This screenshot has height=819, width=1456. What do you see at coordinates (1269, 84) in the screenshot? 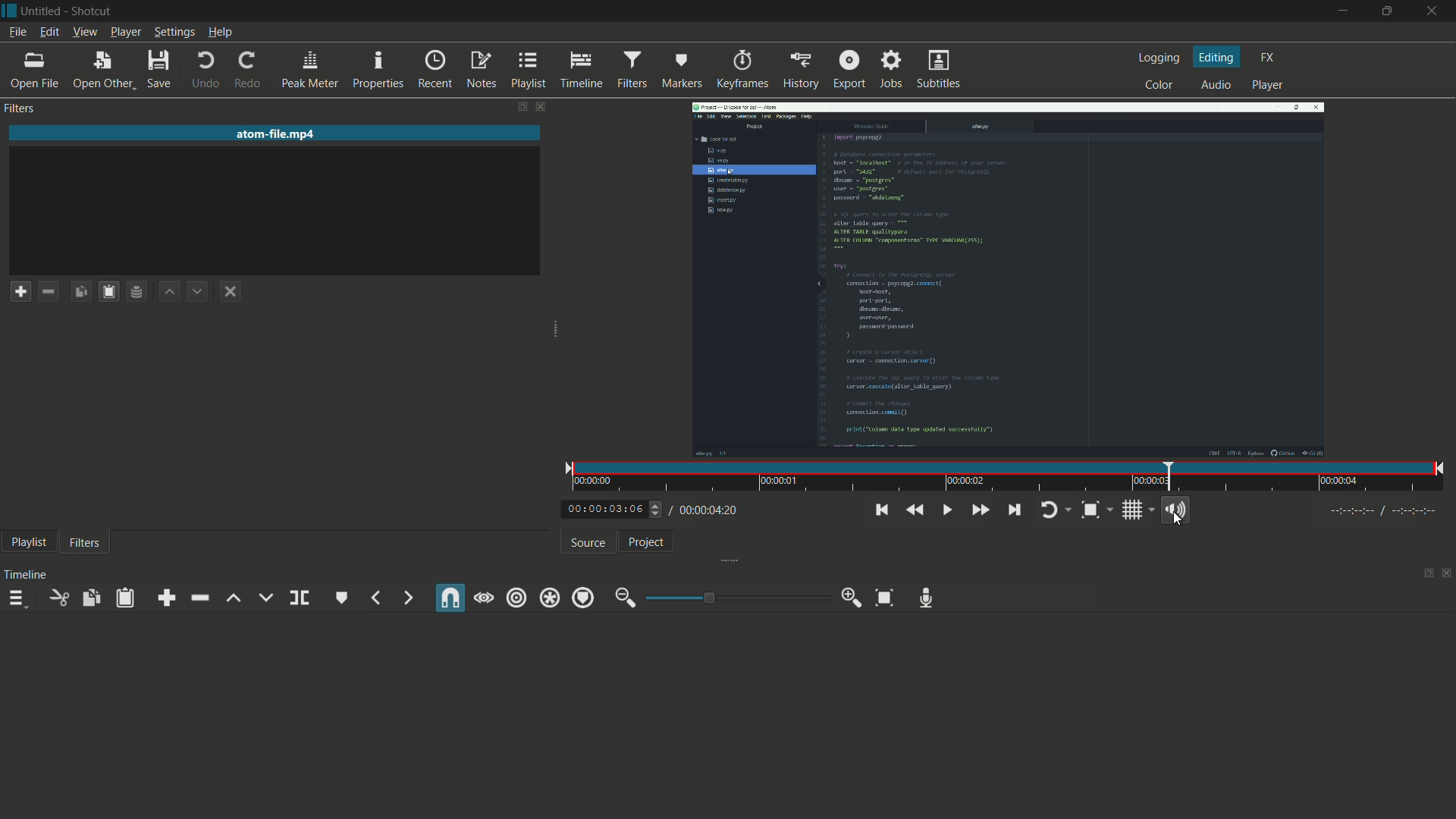
I see `player` at bounding box center [1269, 84].